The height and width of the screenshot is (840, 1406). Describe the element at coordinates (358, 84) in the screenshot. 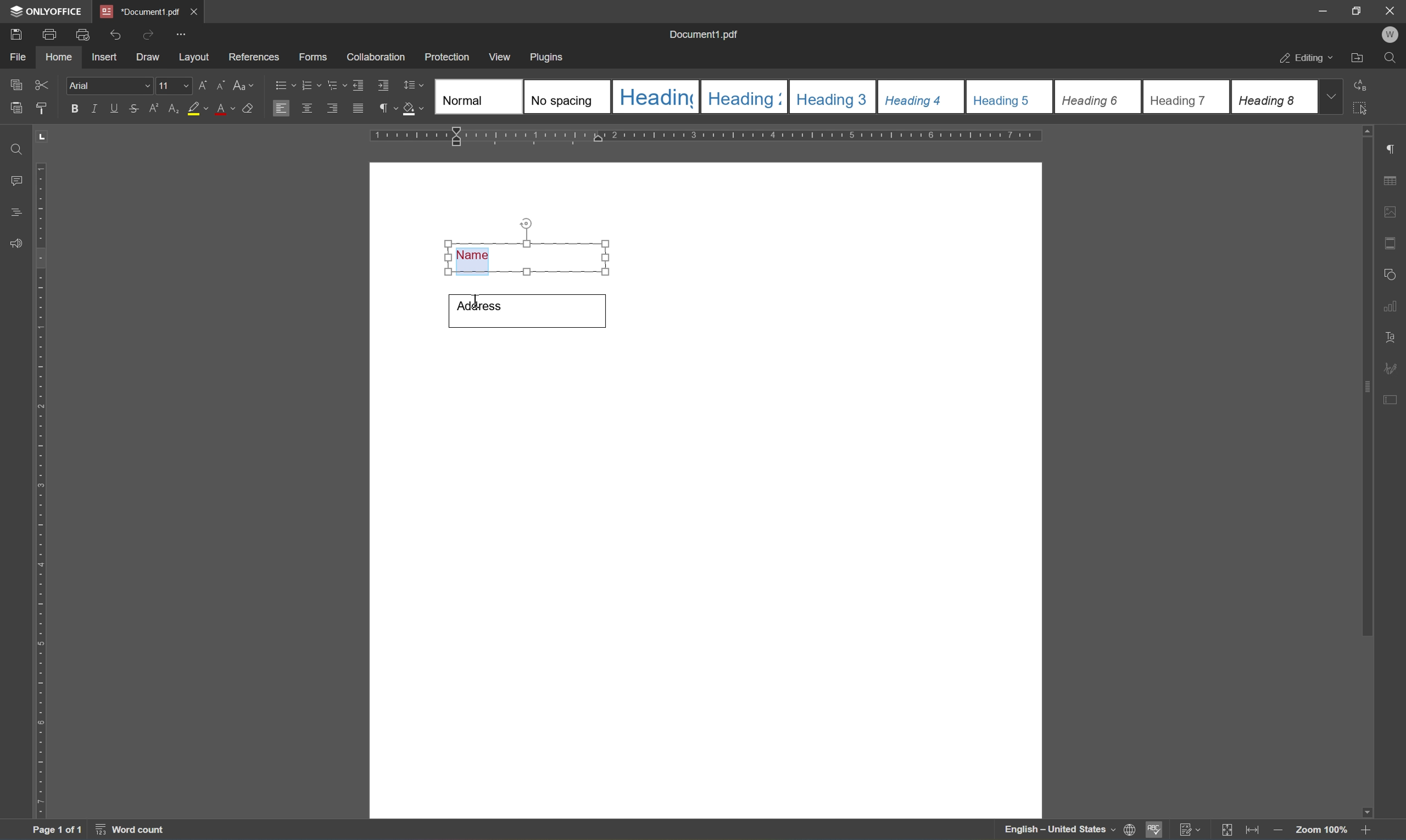

I see `decrease indent` at that location.